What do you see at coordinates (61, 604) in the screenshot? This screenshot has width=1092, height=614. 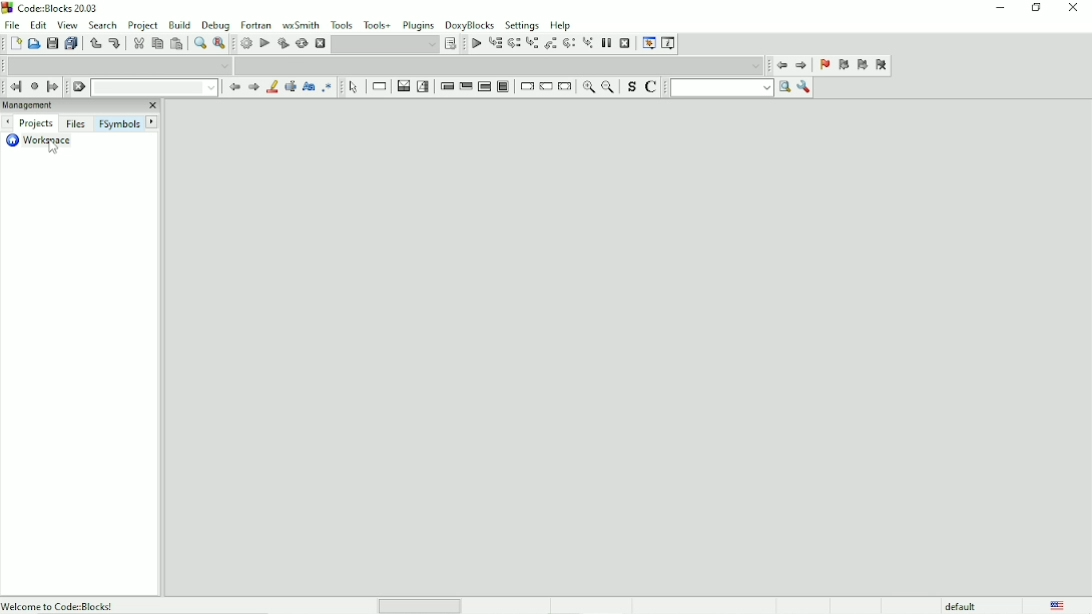 I see `Welcome to code::blocks` at bounding box center [61, 604].